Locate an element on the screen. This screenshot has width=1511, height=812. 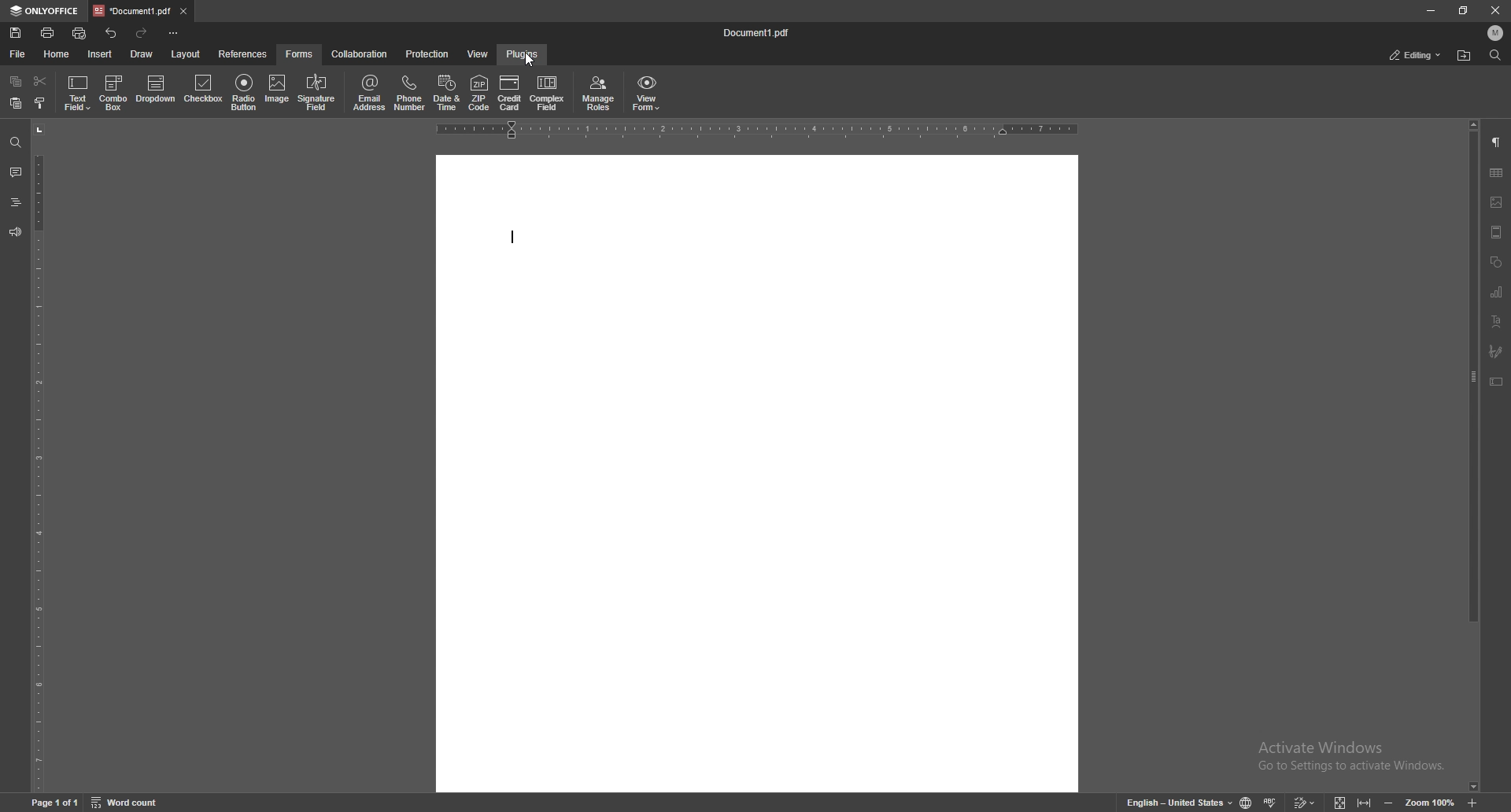
copy is located at coordinates (16, 82).